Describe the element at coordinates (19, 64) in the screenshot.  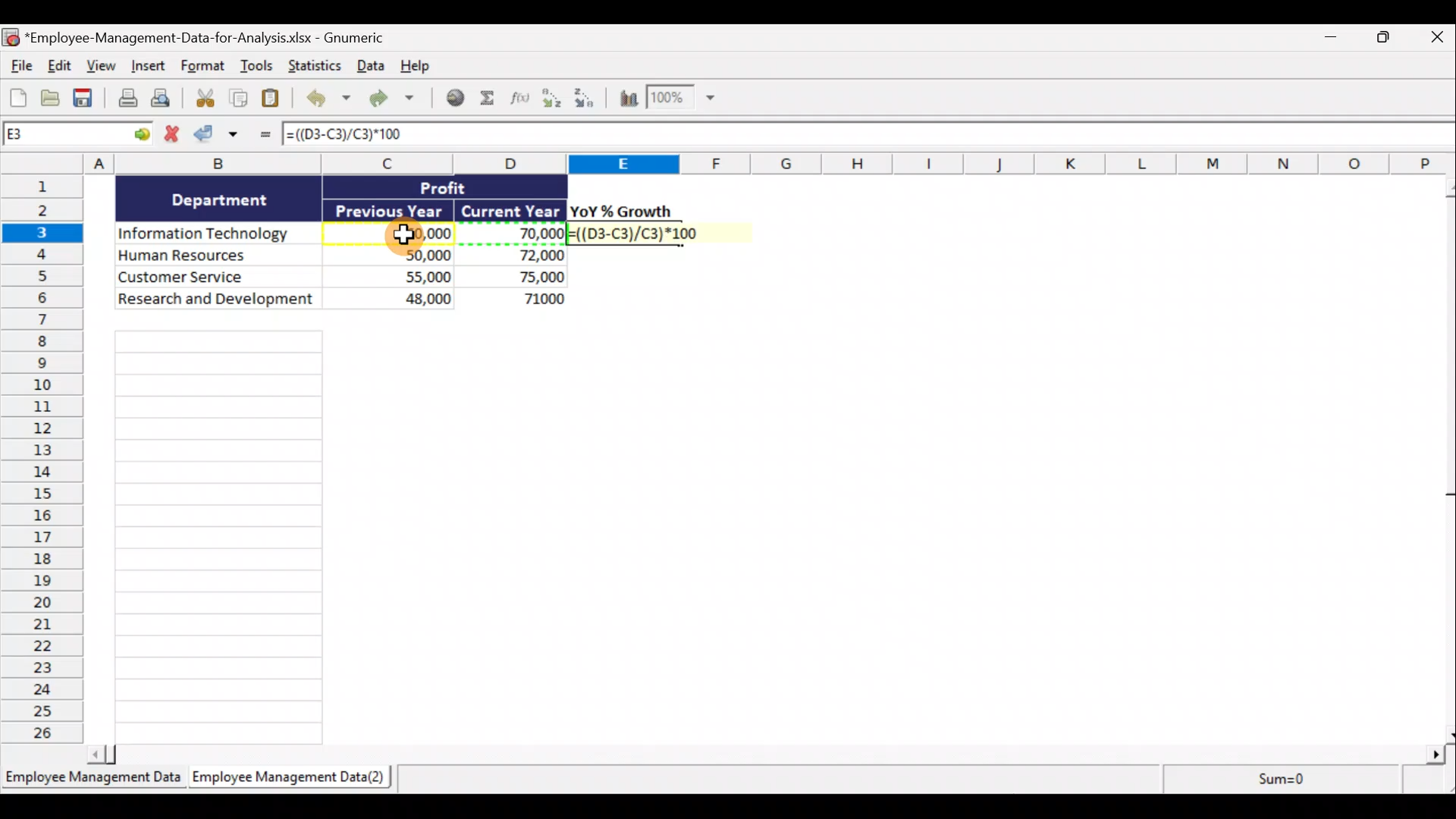
I see `File` at that location.